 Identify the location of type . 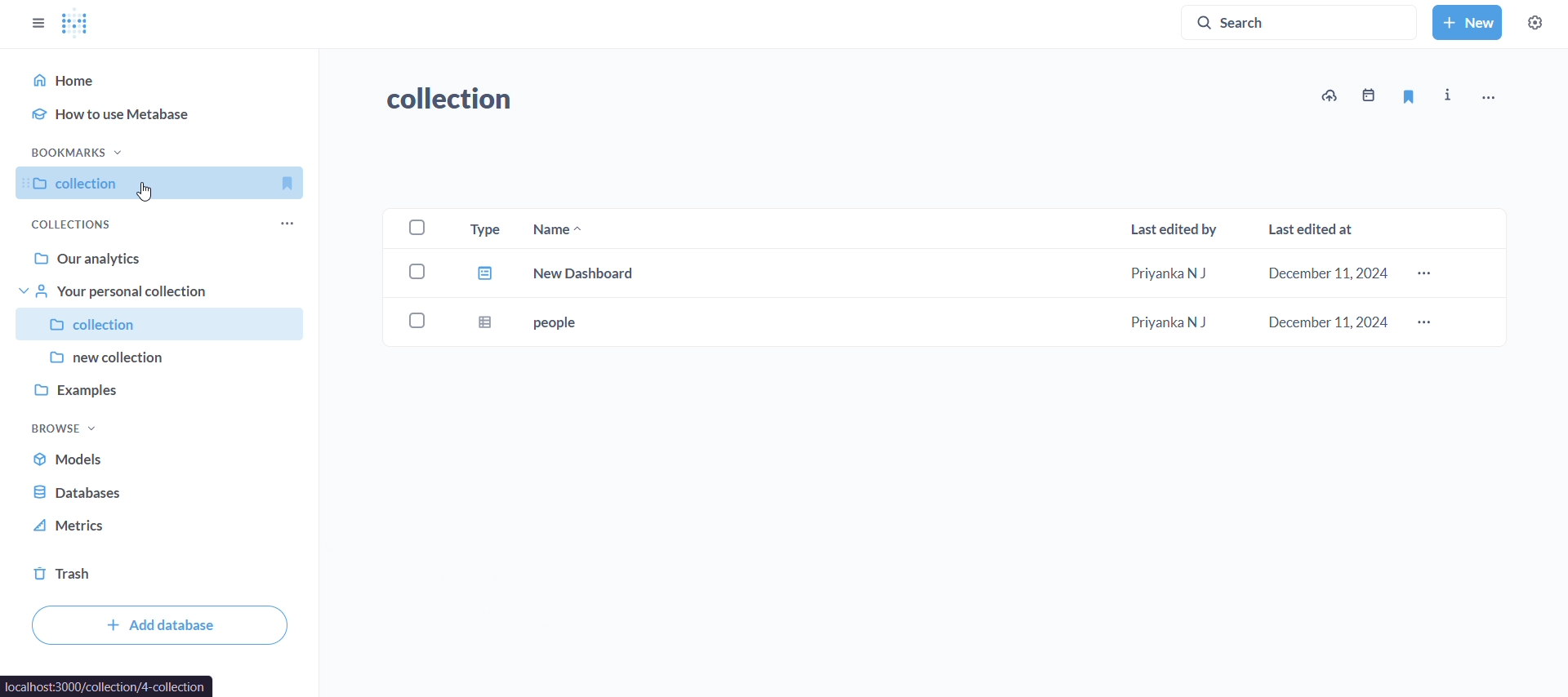
(487, 322).